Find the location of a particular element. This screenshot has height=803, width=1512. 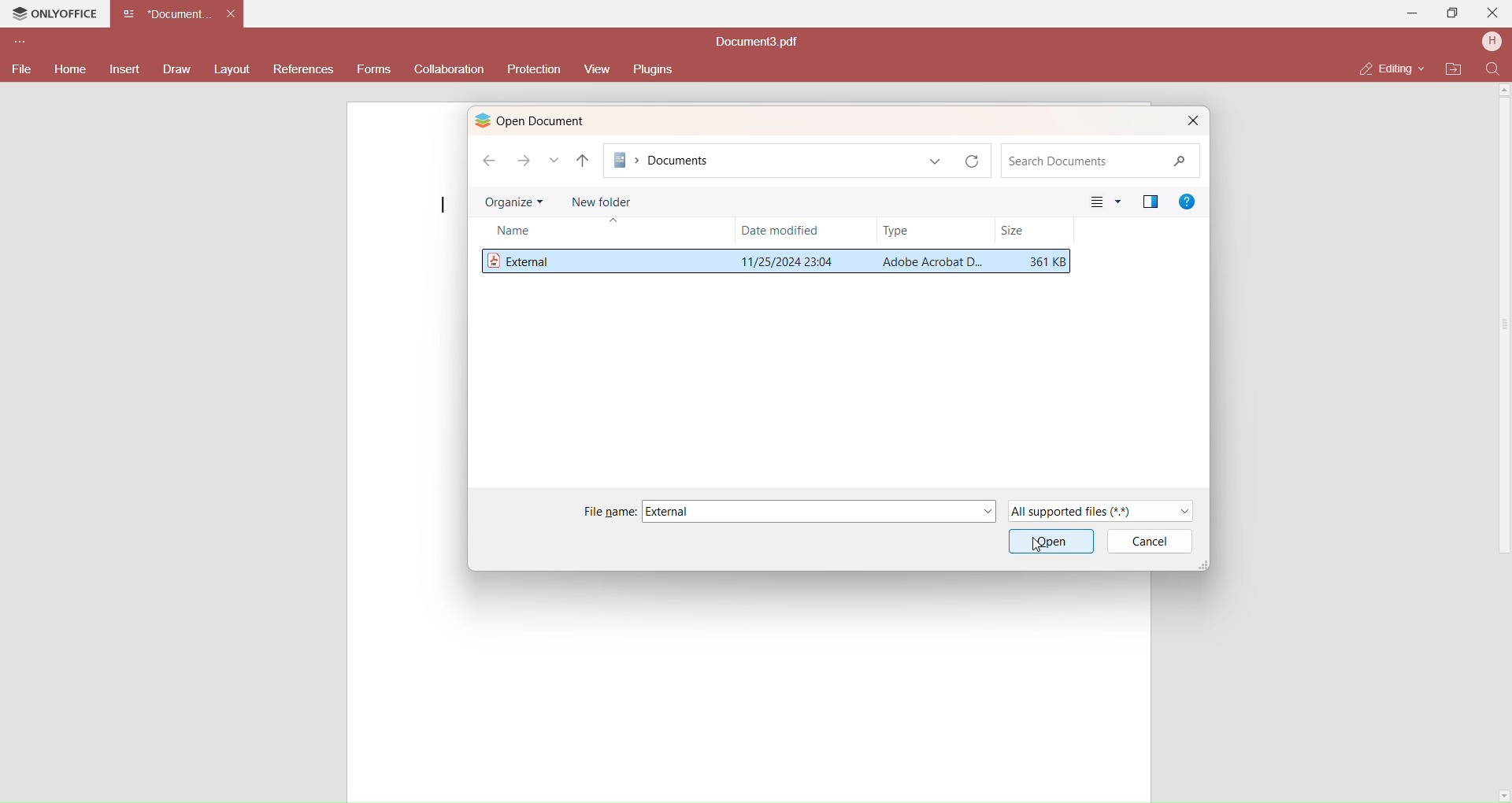

View is located at coordinates (1105, 202).